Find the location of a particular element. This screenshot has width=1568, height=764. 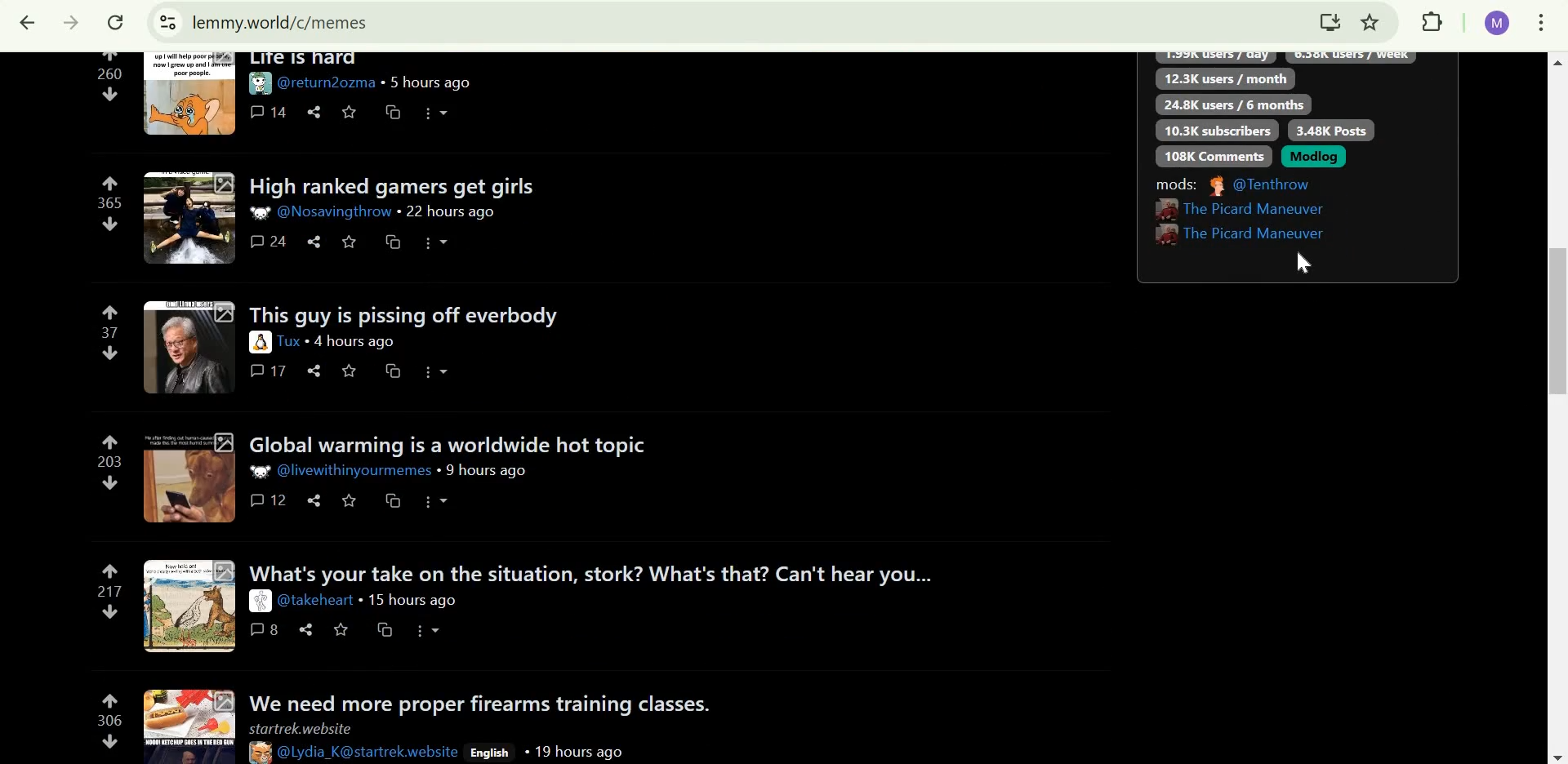

startrek.website is located at coordinates (299, 729).